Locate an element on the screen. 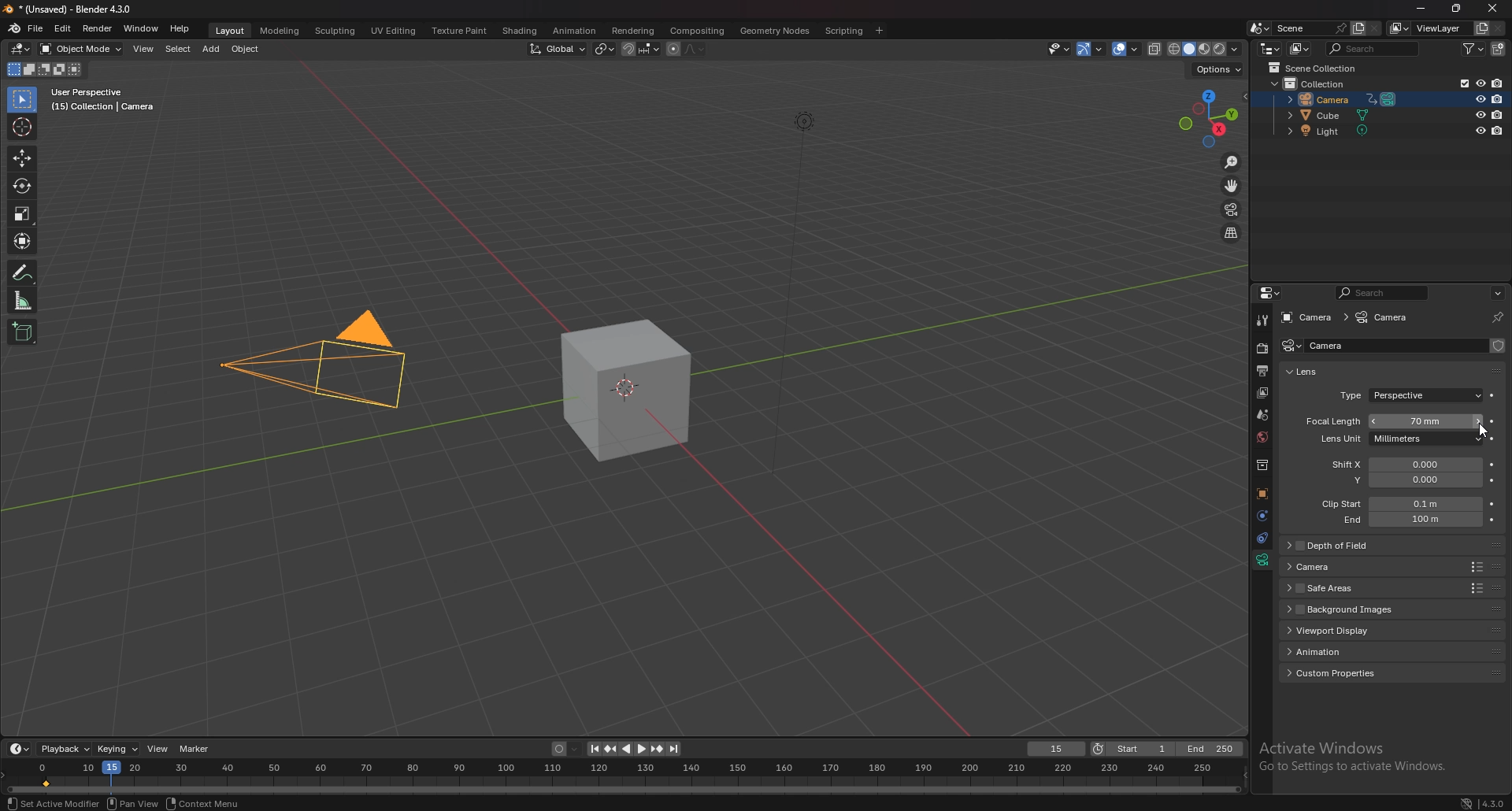 The height and width of the screenshot is (811, 1512). editor type is located at coordinates (1271, 292).